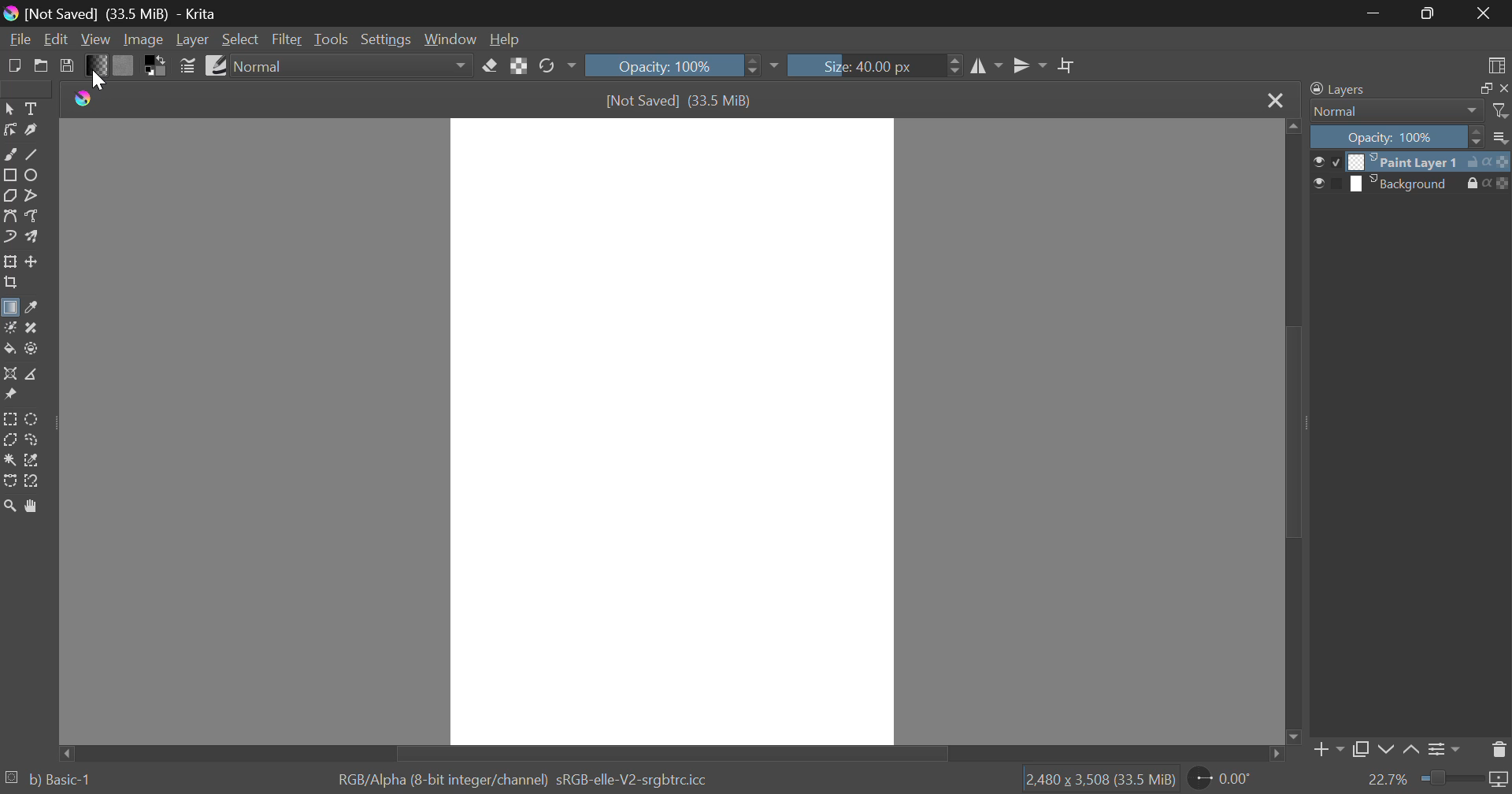  Describe the element at coordinates (505, 39) in the screenshot. I see `Help` at that location.